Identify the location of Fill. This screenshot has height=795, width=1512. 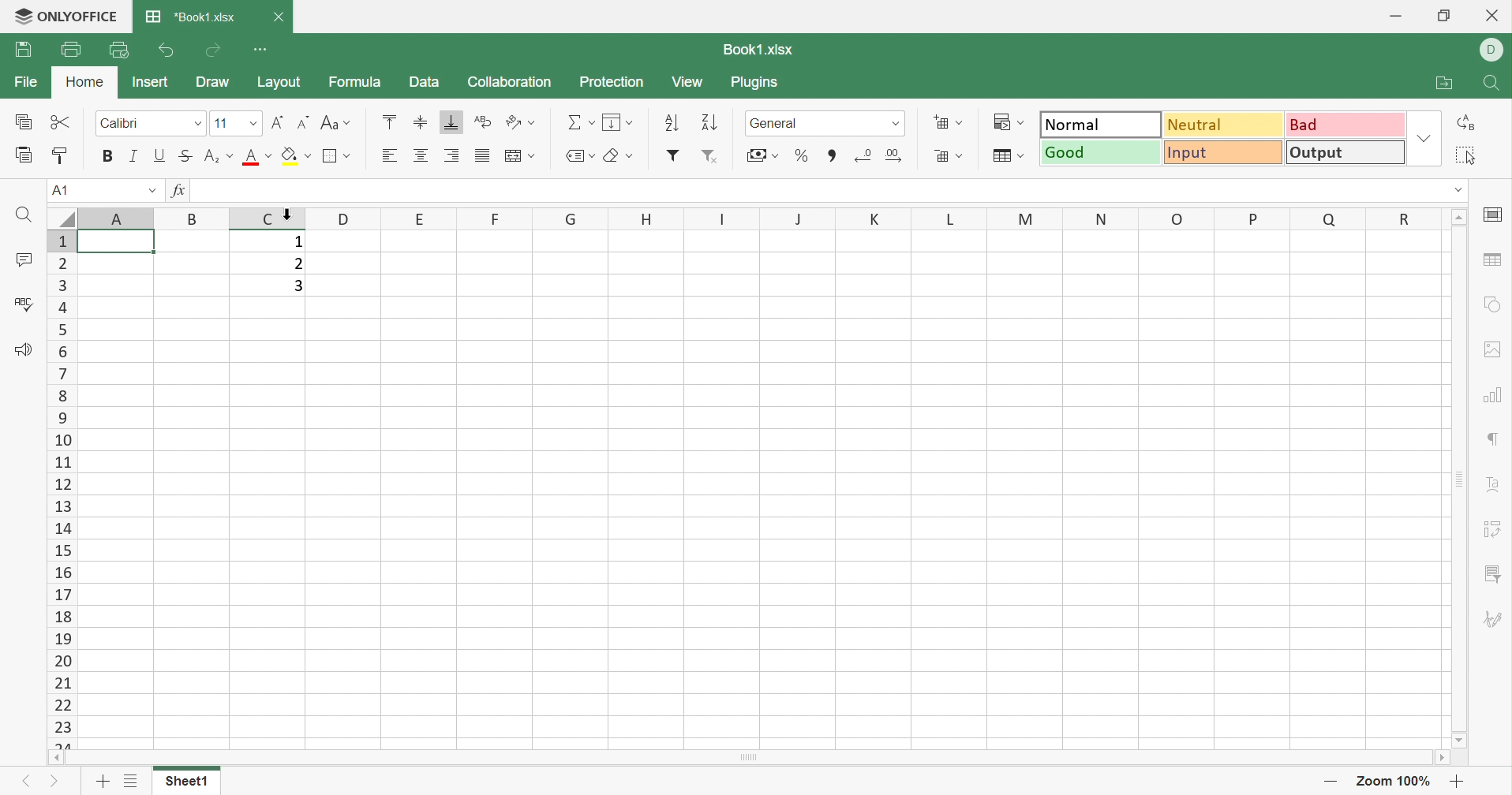
(613, 121).